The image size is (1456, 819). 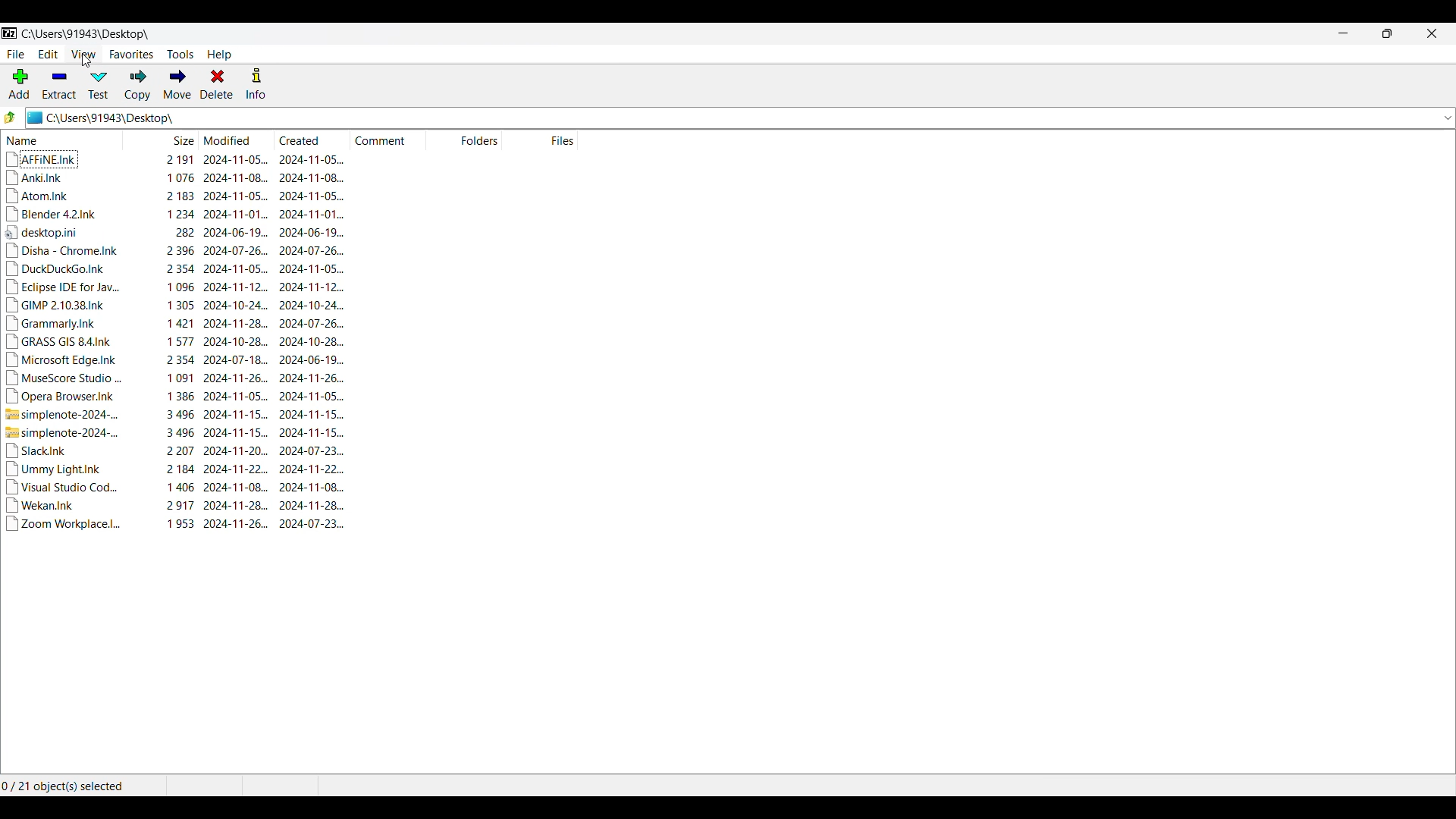 What do you see at coordinates (11, 118) in the screenshot?
I see `Go to previous folder` at bounding box center [11, 118].